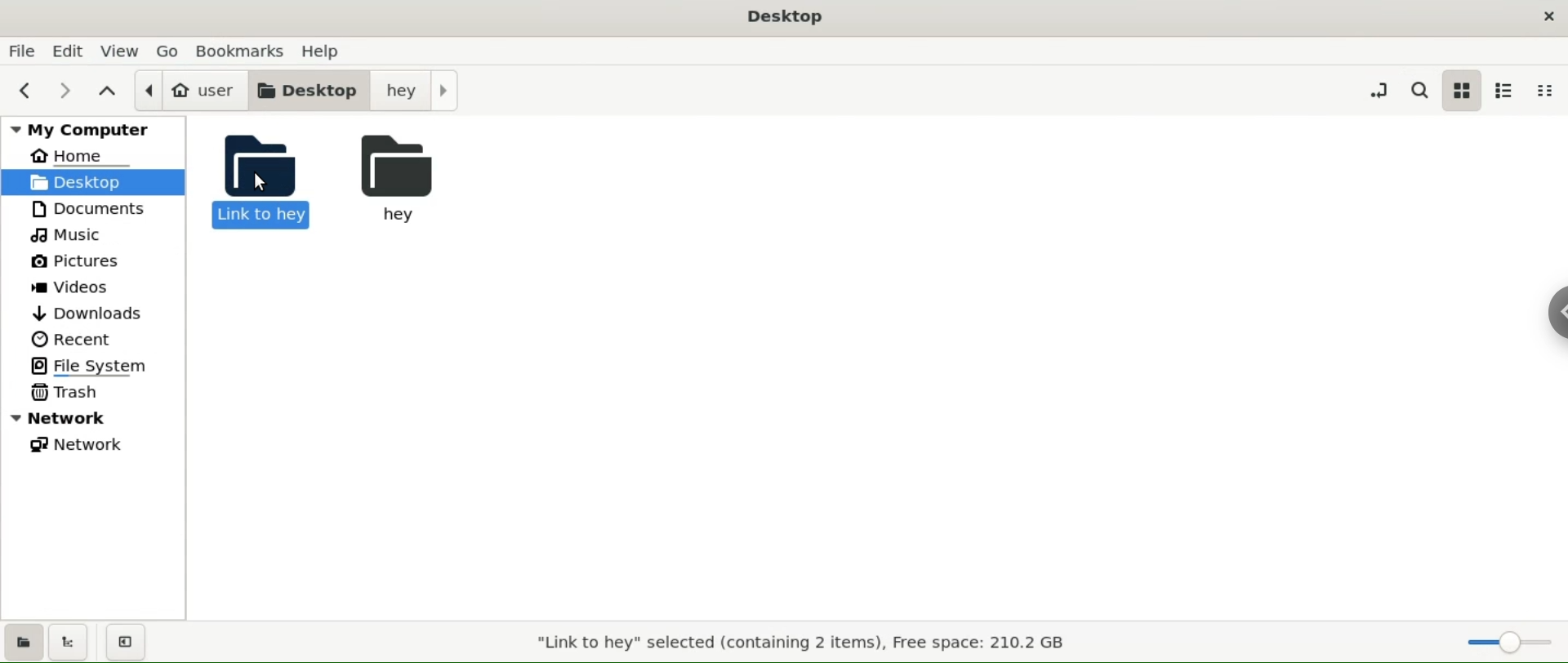 The height and width of the screenshot is (663, 1568). I want to click on zoom, so click(1512, 642).